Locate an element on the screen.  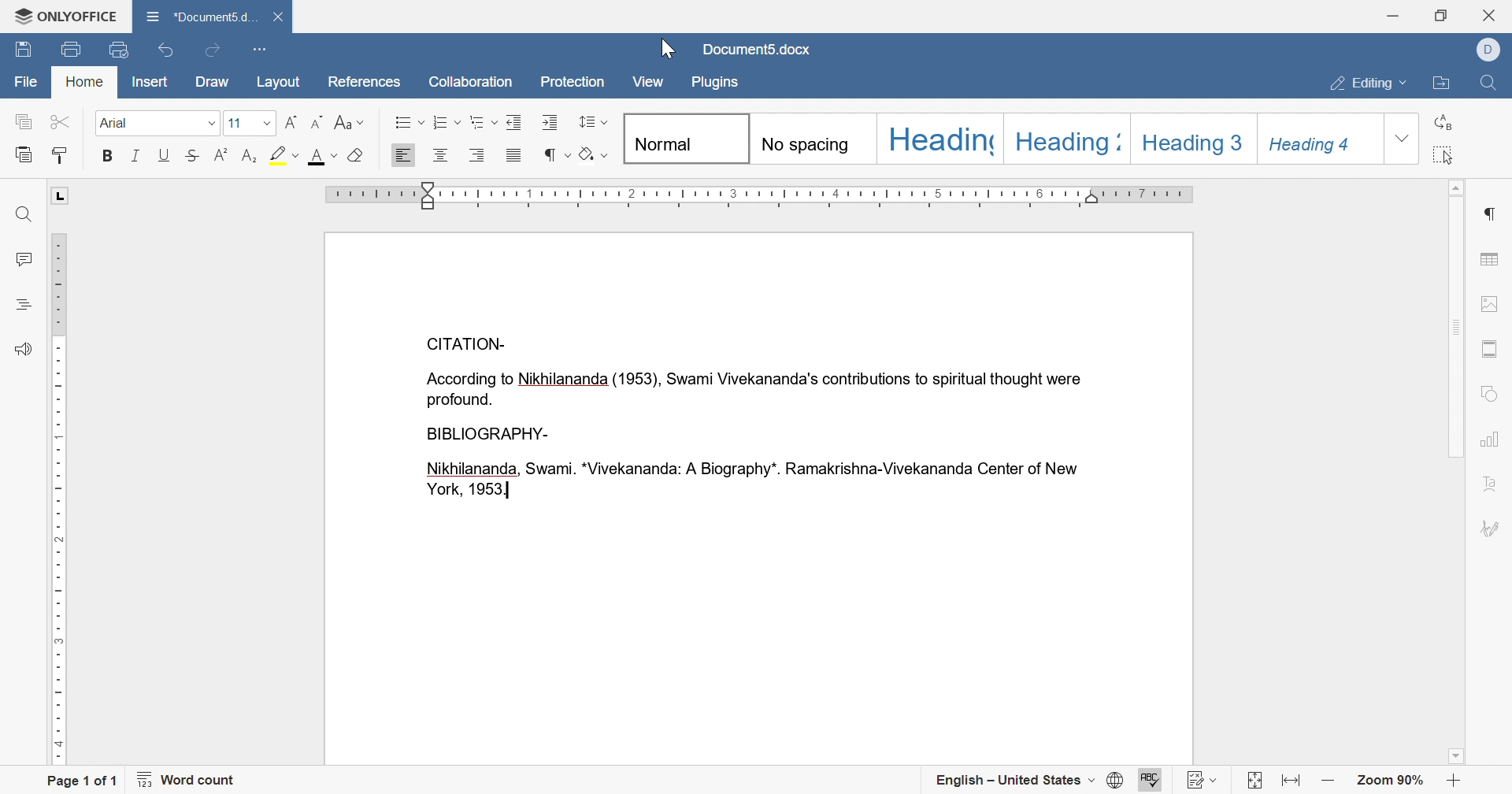
open file location is located at coordinates (1447, 85).